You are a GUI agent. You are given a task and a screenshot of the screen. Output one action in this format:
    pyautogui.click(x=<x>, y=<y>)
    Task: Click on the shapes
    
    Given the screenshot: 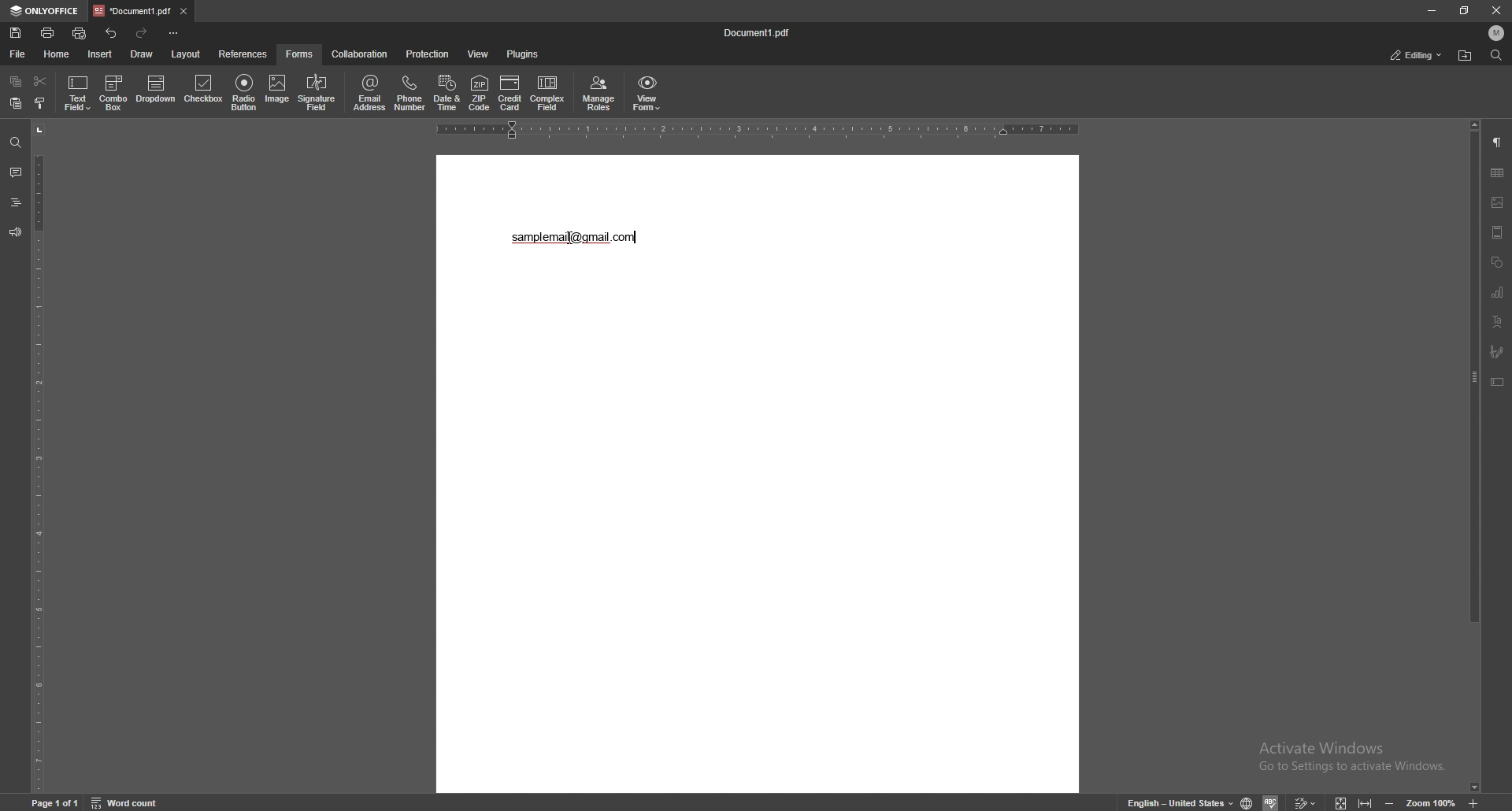 What is the action you would take?
    pyautogui.click(x=1497, y=261)
    